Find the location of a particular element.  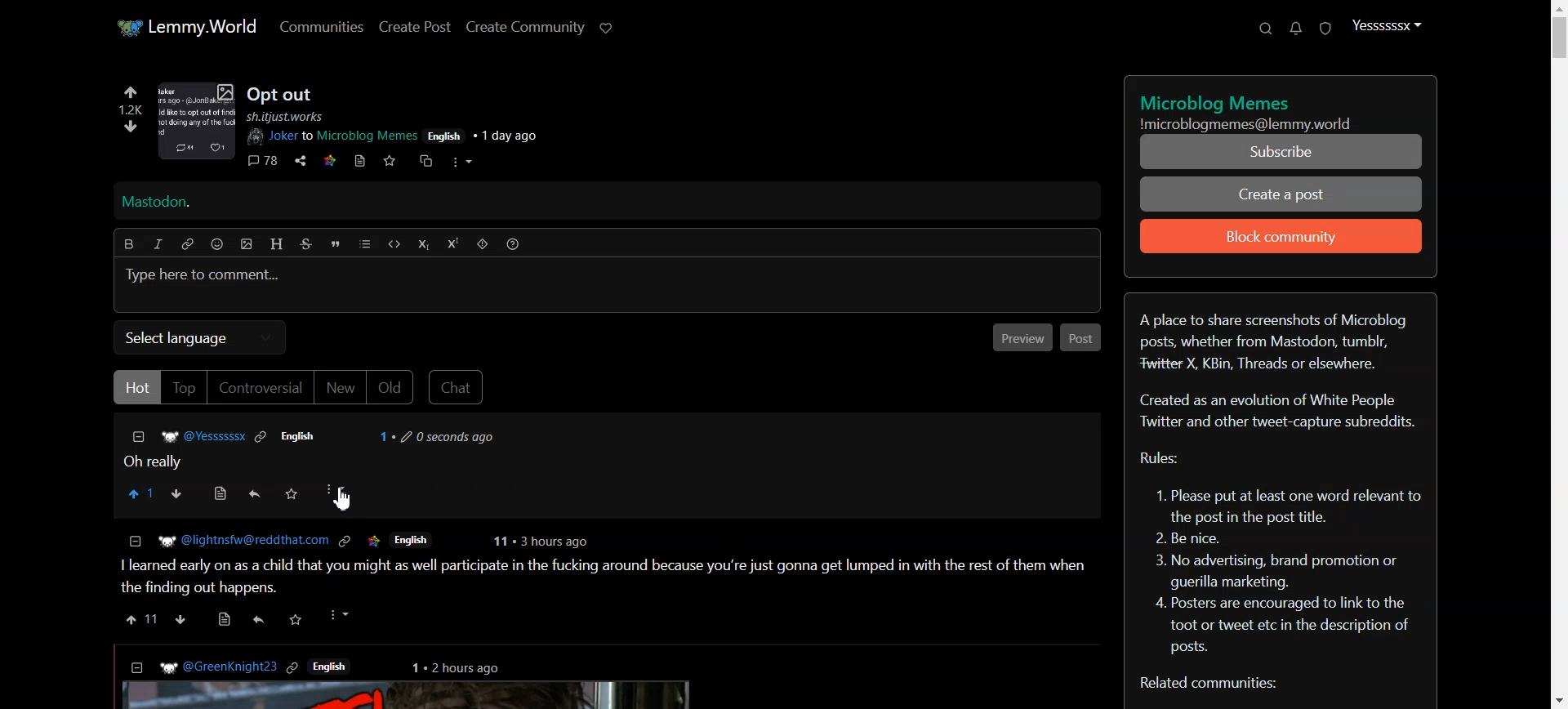

Create Post is located at coordinates (415, 26).